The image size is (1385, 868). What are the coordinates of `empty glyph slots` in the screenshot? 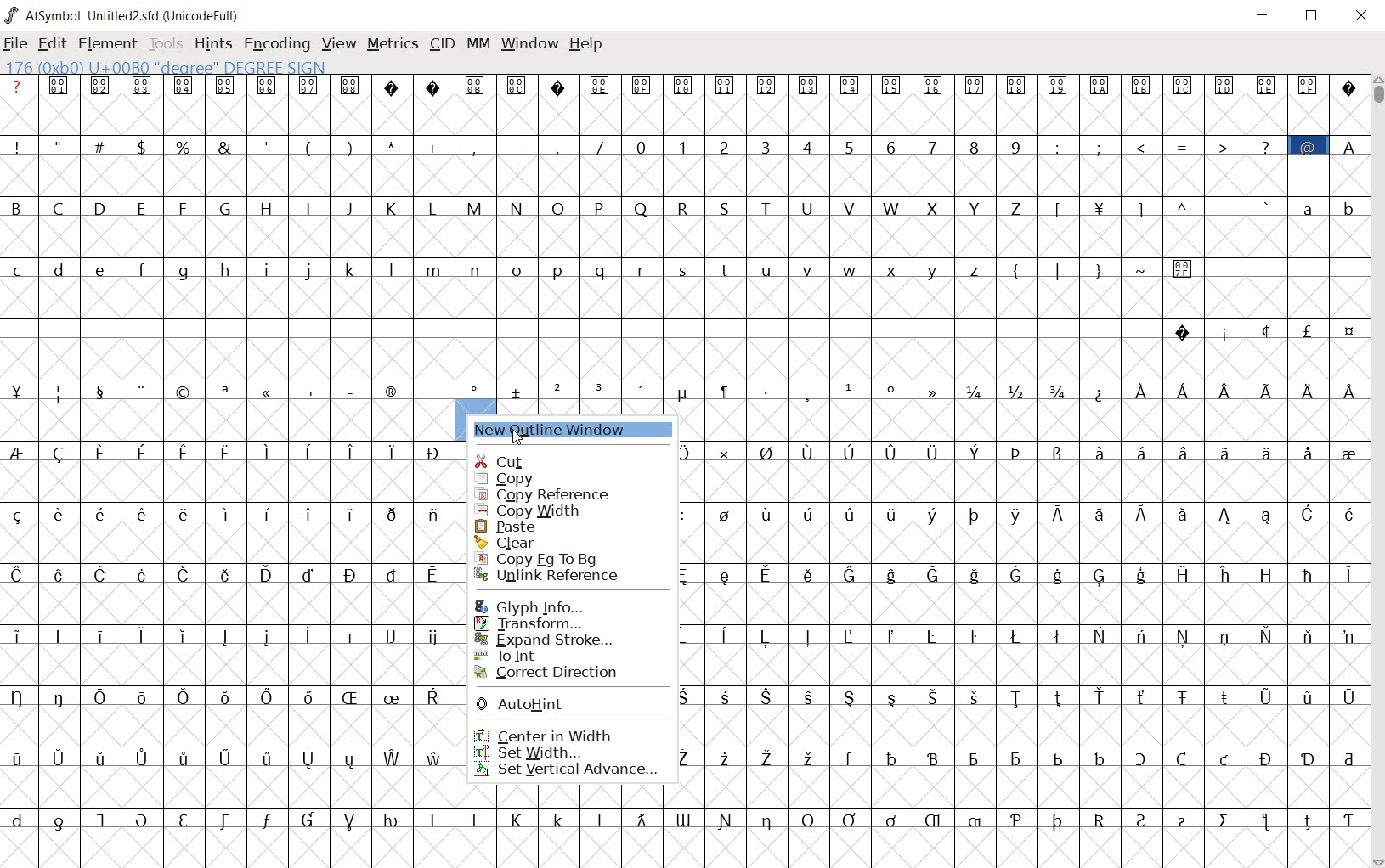 It's located at (226, 479).